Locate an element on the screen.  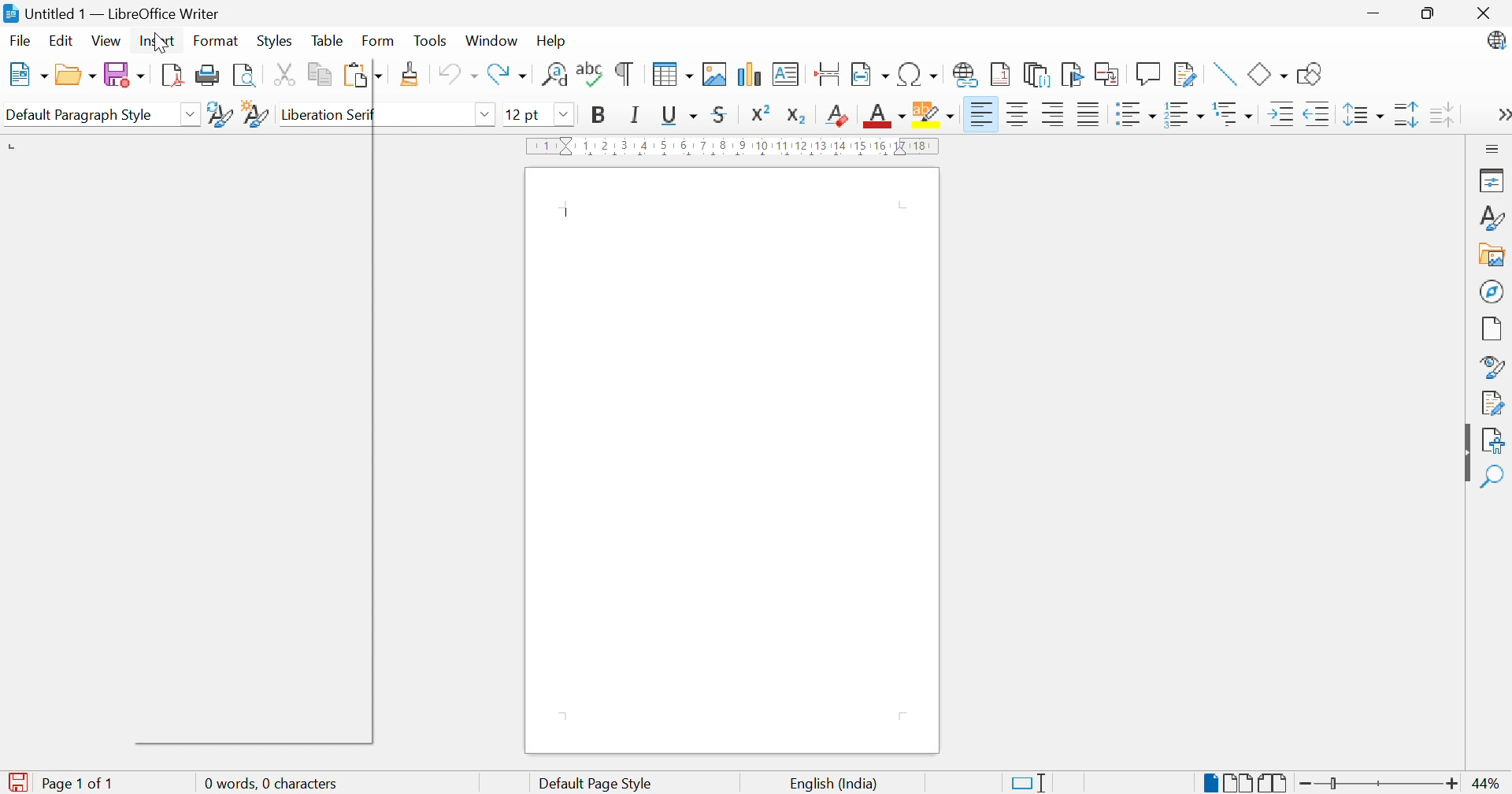
Undo is located at coordinates (458, 75).